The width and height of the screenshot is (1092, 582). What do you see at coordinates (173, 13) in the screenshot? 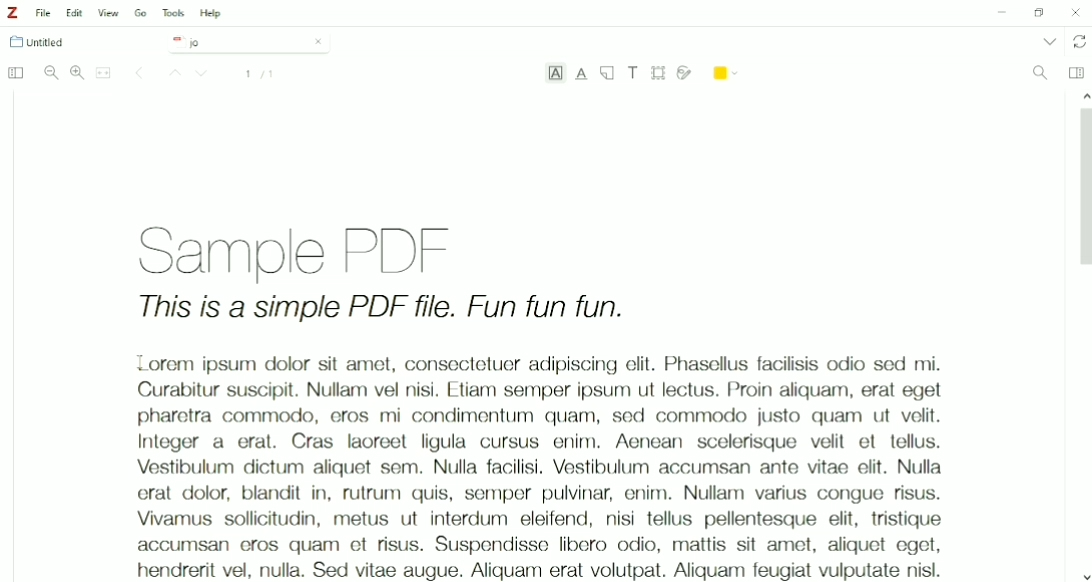
I see `Tools` at bounding box center [173, 13].